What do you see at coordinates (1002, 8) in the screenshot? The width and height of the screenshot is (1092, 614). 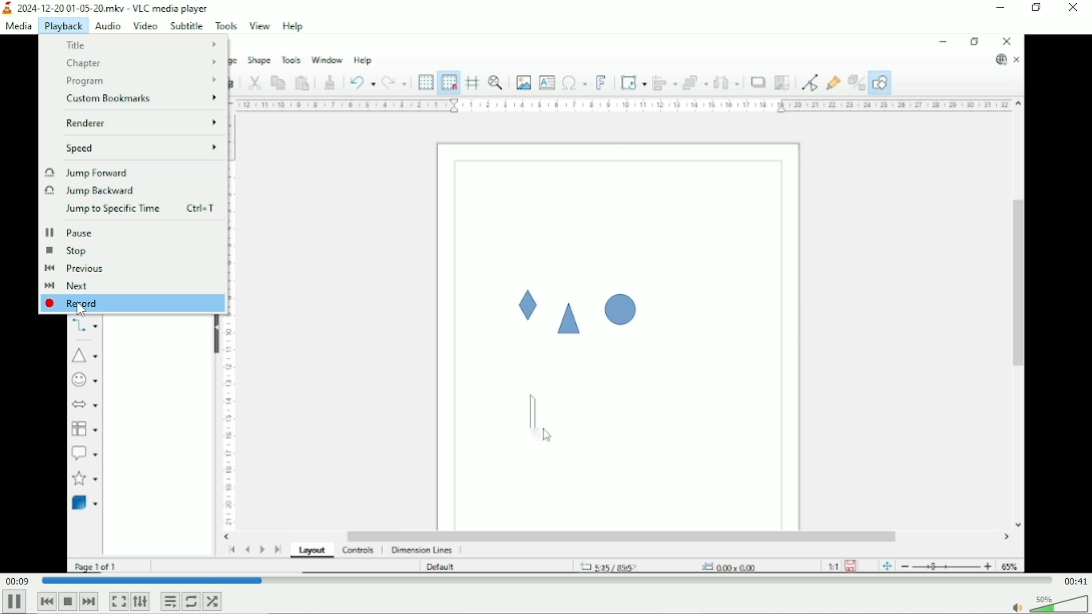 I see `Minimize` at bounding box center [1002, 8].